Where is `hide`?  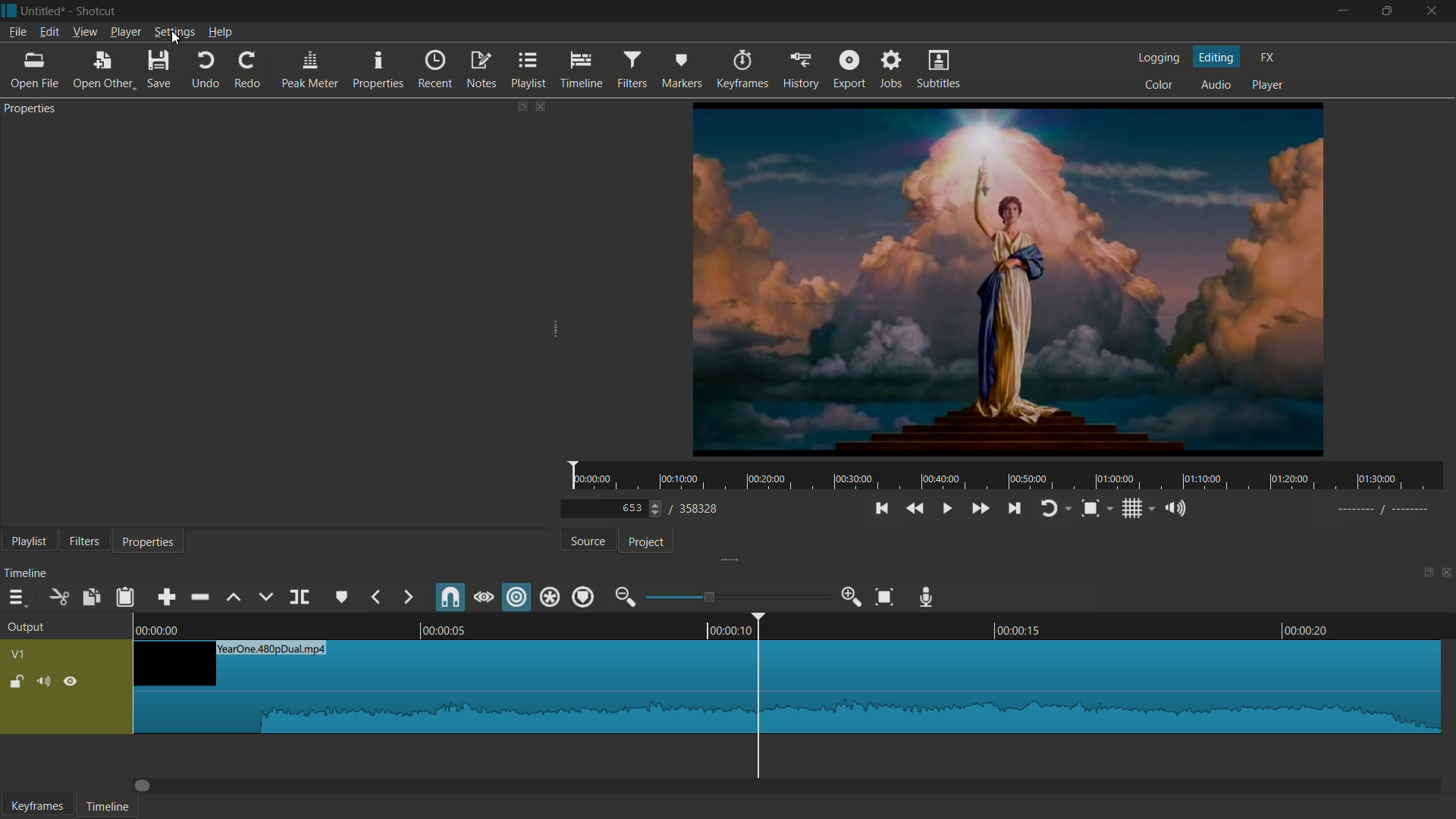 hide is located at coordinates (72, 681).